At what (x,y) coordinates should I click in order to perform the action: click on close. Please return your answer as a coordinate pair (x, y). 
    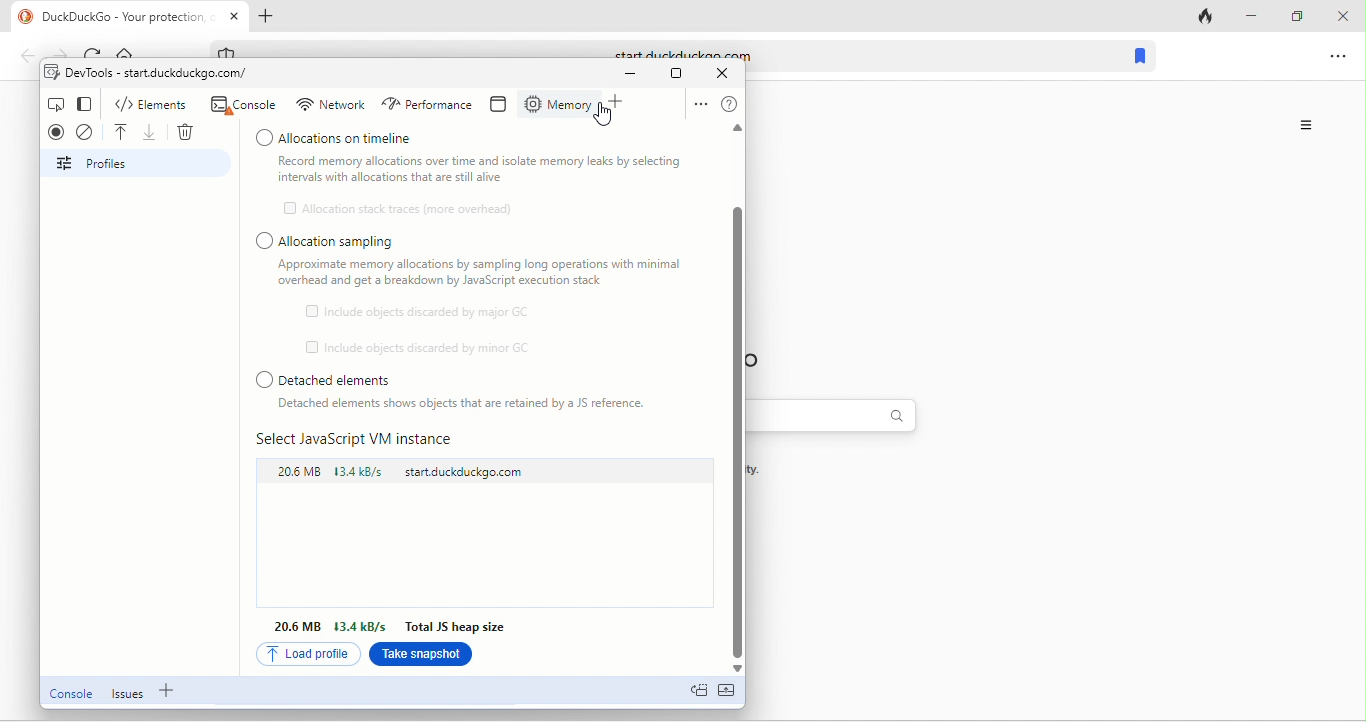
    Looking at the image, I should click on (722, 73).